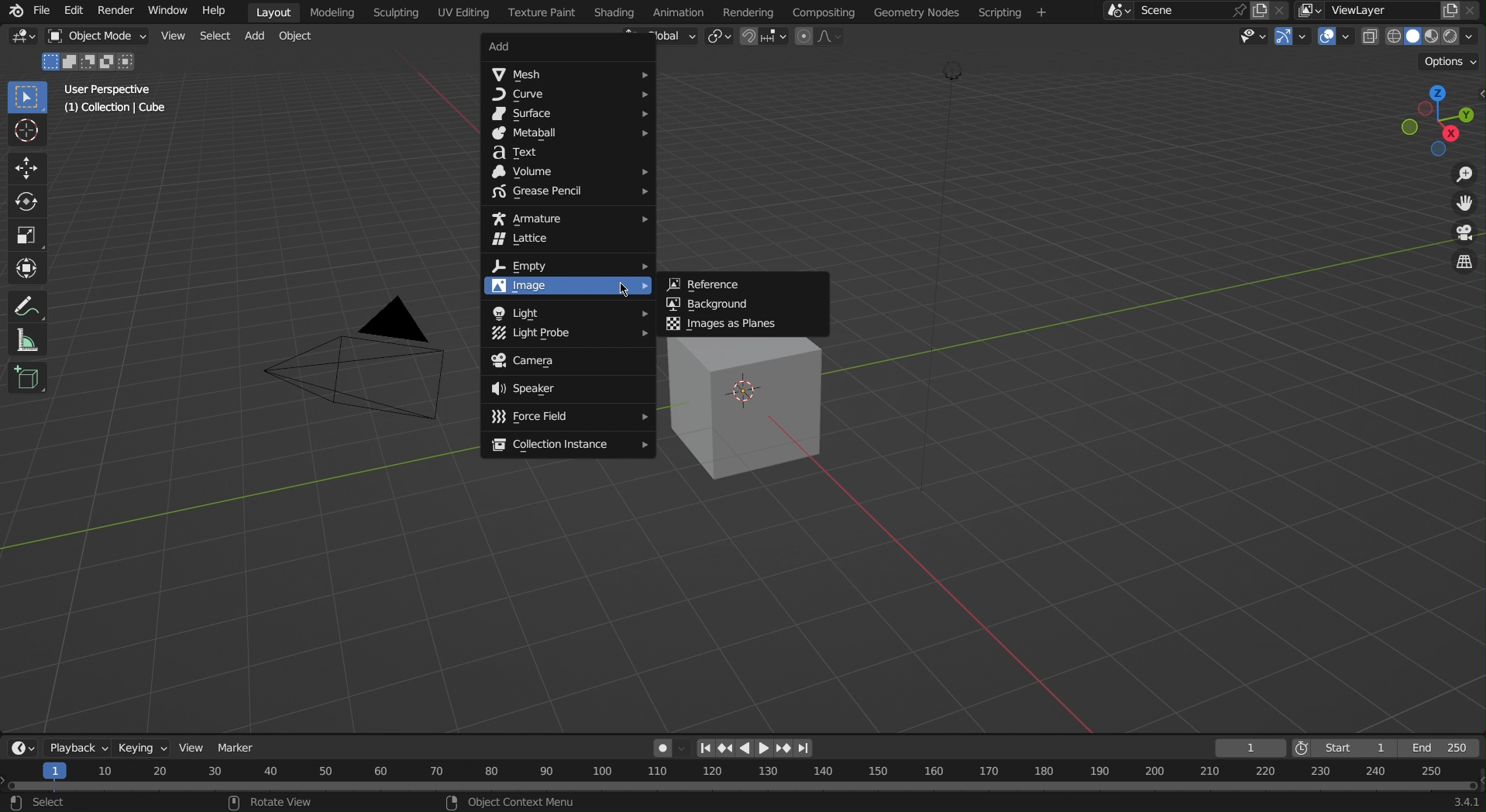 Image resolution: width=1486 pixels, height=812 pixels. What do you see at coordinates (24, 39) in the screenshot?
I see `Editor Type` at bounding box center [24, 39].